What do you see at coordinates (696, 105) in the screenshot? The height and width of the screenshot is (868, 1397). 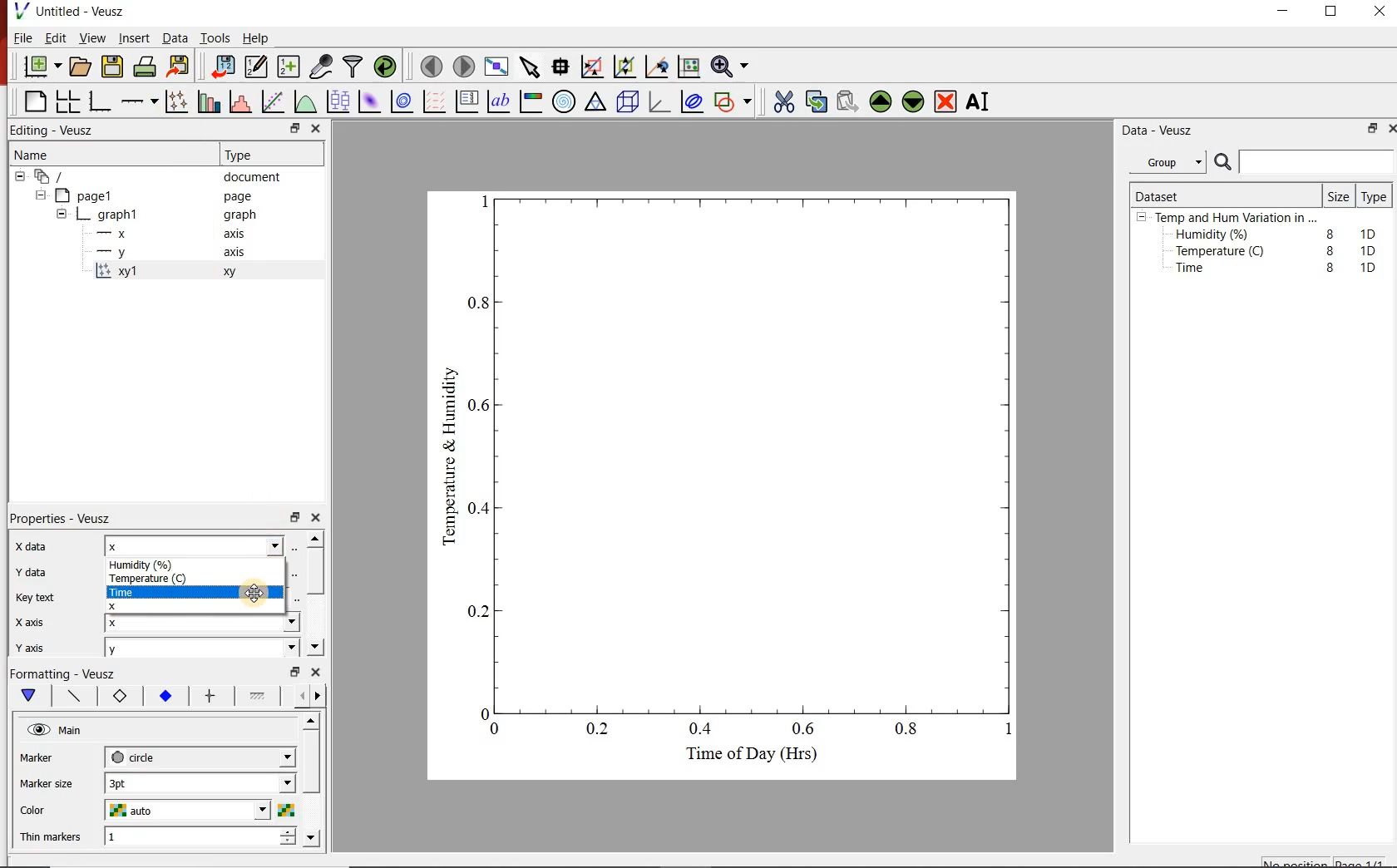 I see `plot covariance ellipses` at bounding box center [696, 105].